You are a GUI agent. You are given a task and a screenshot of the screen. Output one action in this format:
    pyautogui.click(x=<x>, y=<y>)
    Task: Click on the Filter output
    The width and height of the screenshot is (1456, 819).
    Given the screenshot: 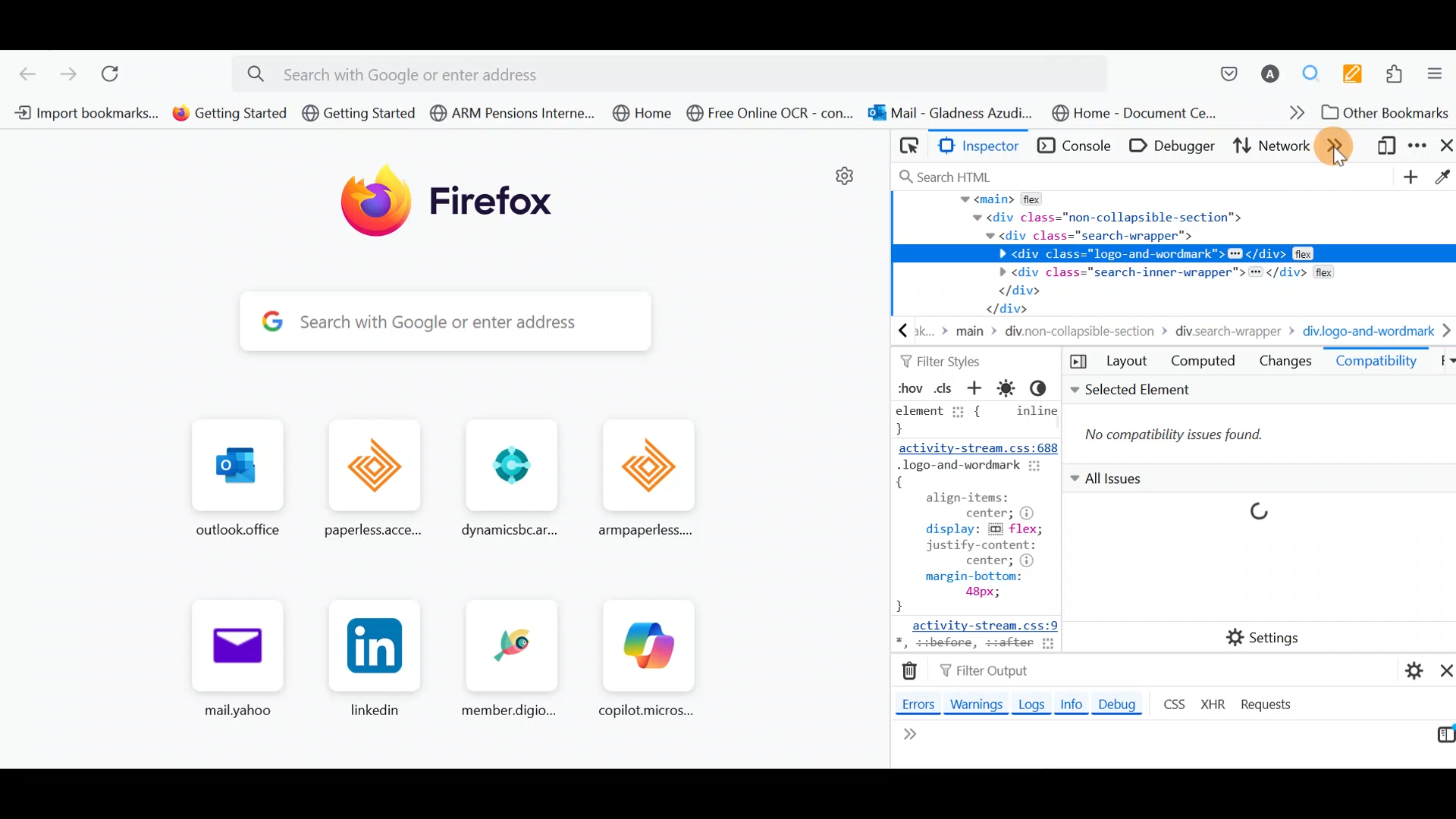 What is the action you would take?
    pyautogui.click(x=981, y=673)
    